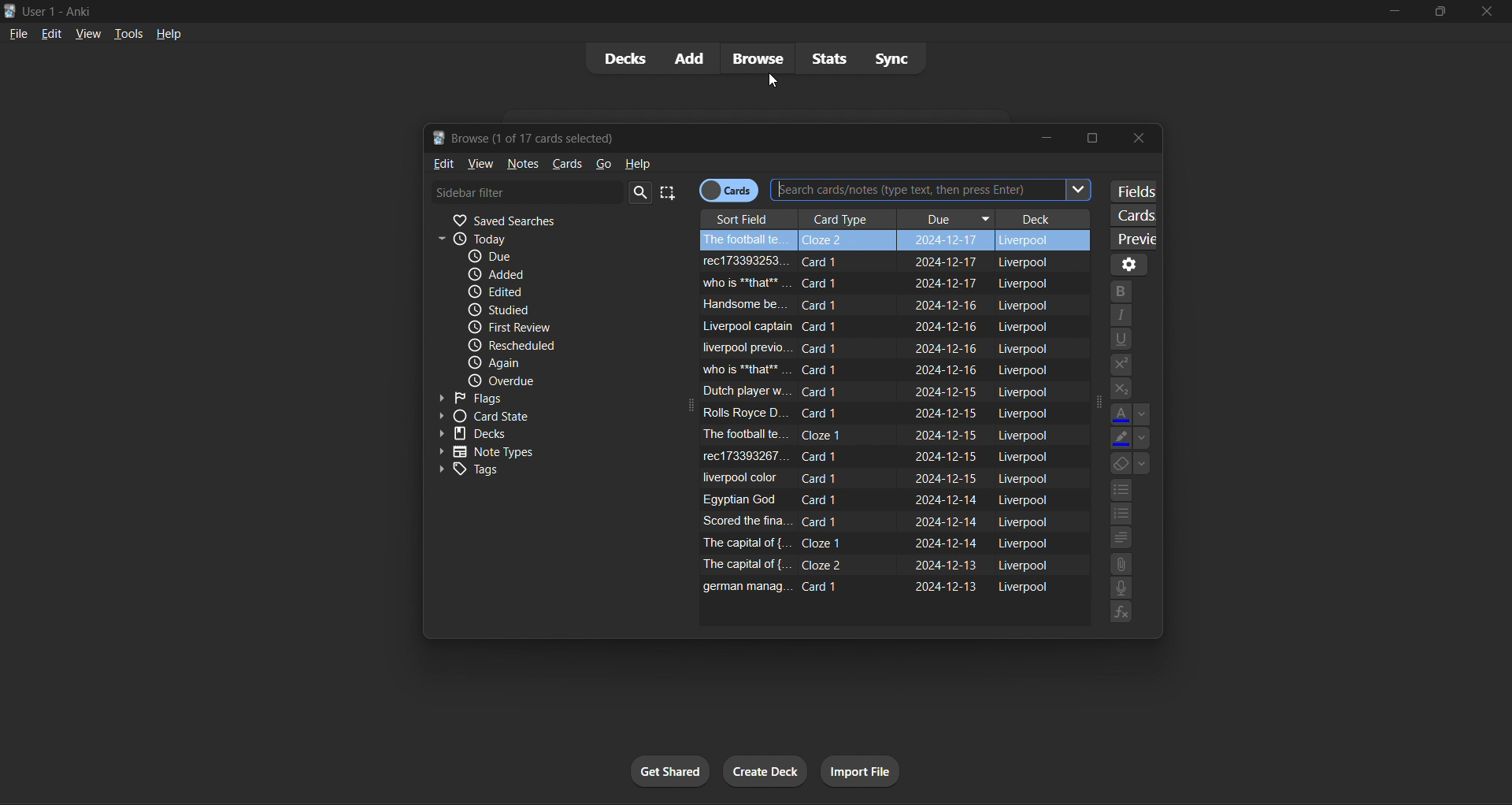 This screenshot has width=1512, height=805. What do you see at coordinates (128, 35) in the screenshot?
I see `tools` at bounding box center [128, 35].